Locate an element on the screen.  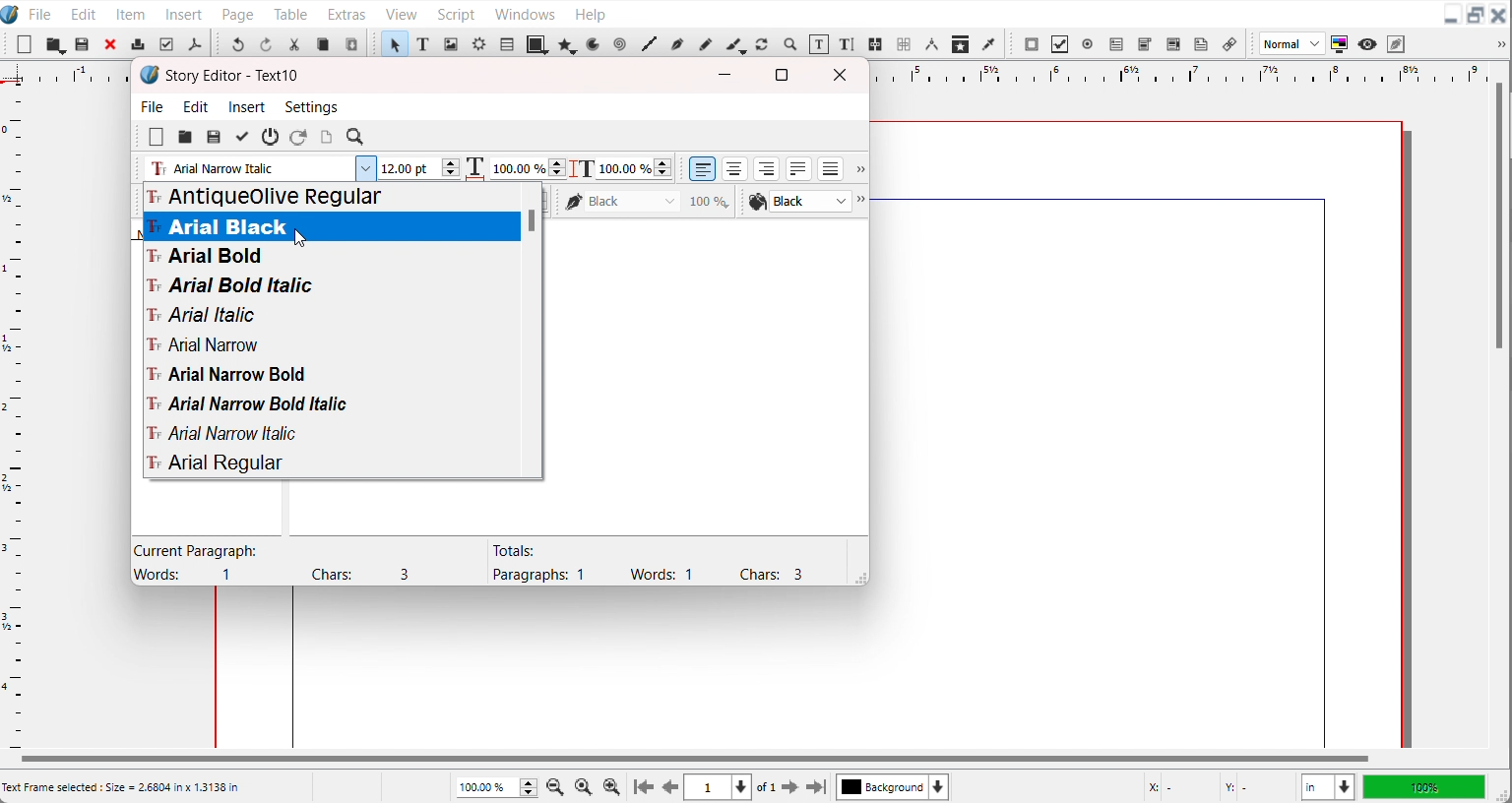
Minimize is located at coordinates (1451, 16).